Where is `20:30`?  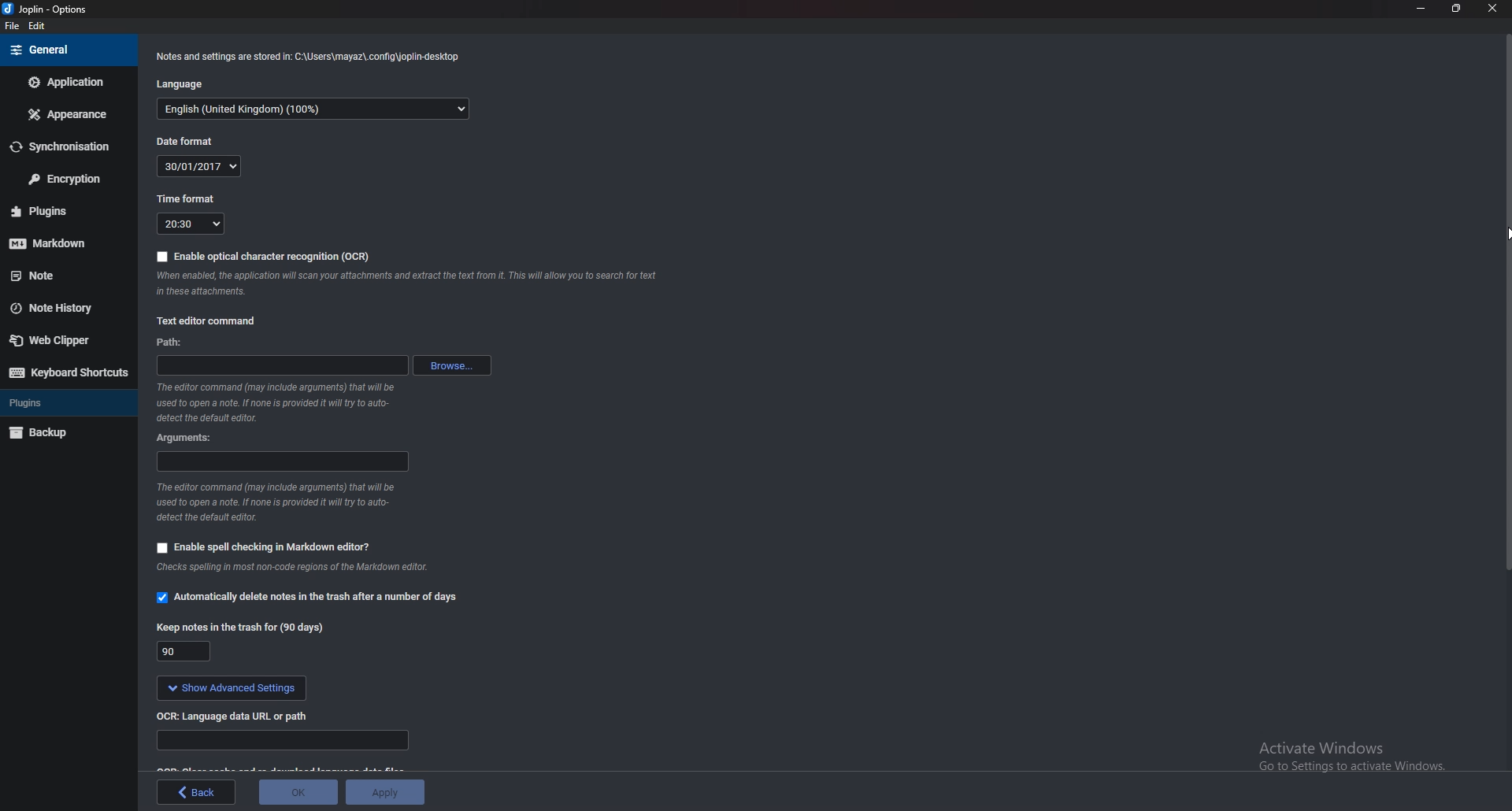
20:30 is located at coordinates (191, 223).